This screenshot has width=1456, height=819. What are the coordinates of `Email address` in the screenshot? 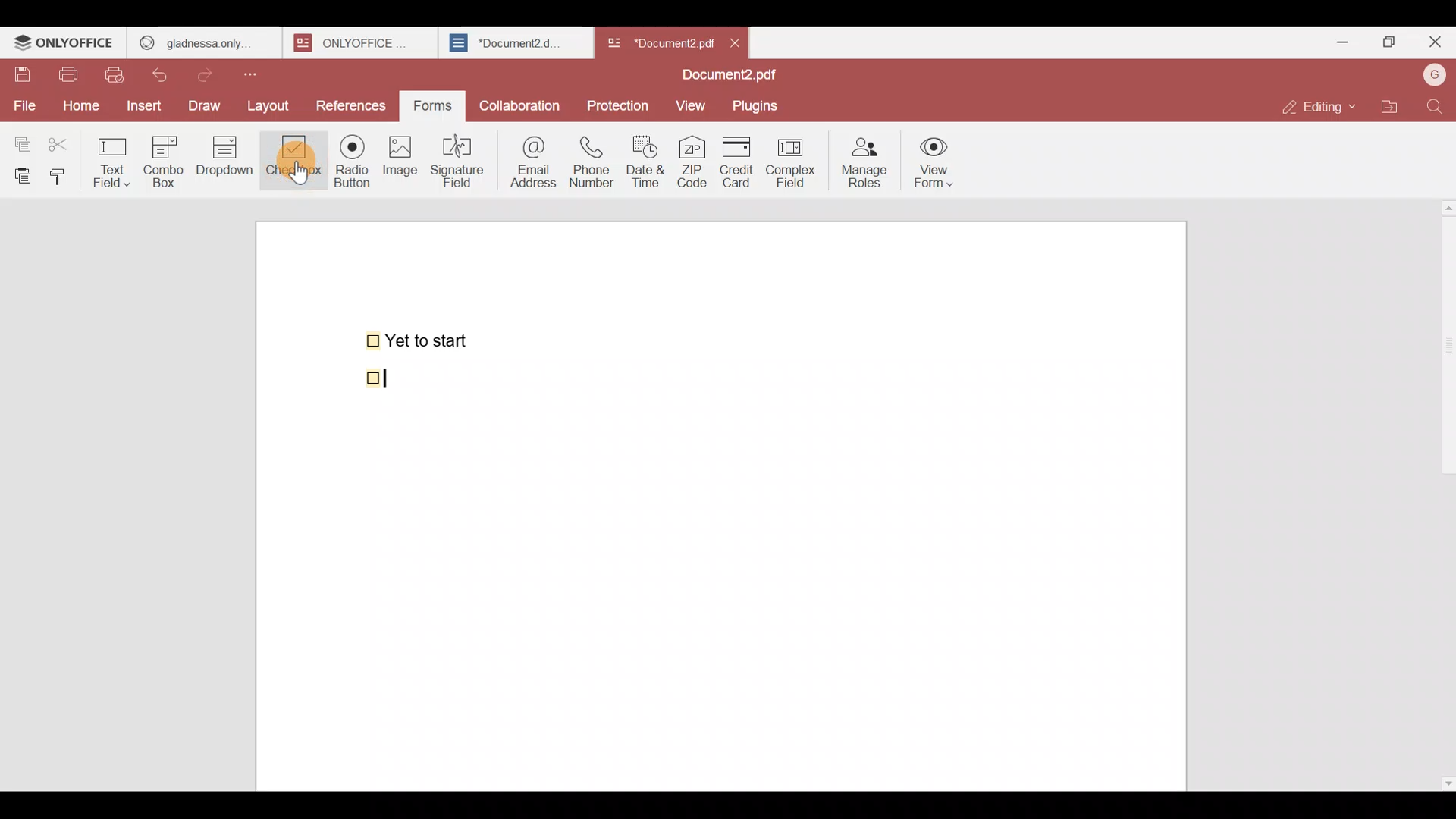 It's located at (530, 160).